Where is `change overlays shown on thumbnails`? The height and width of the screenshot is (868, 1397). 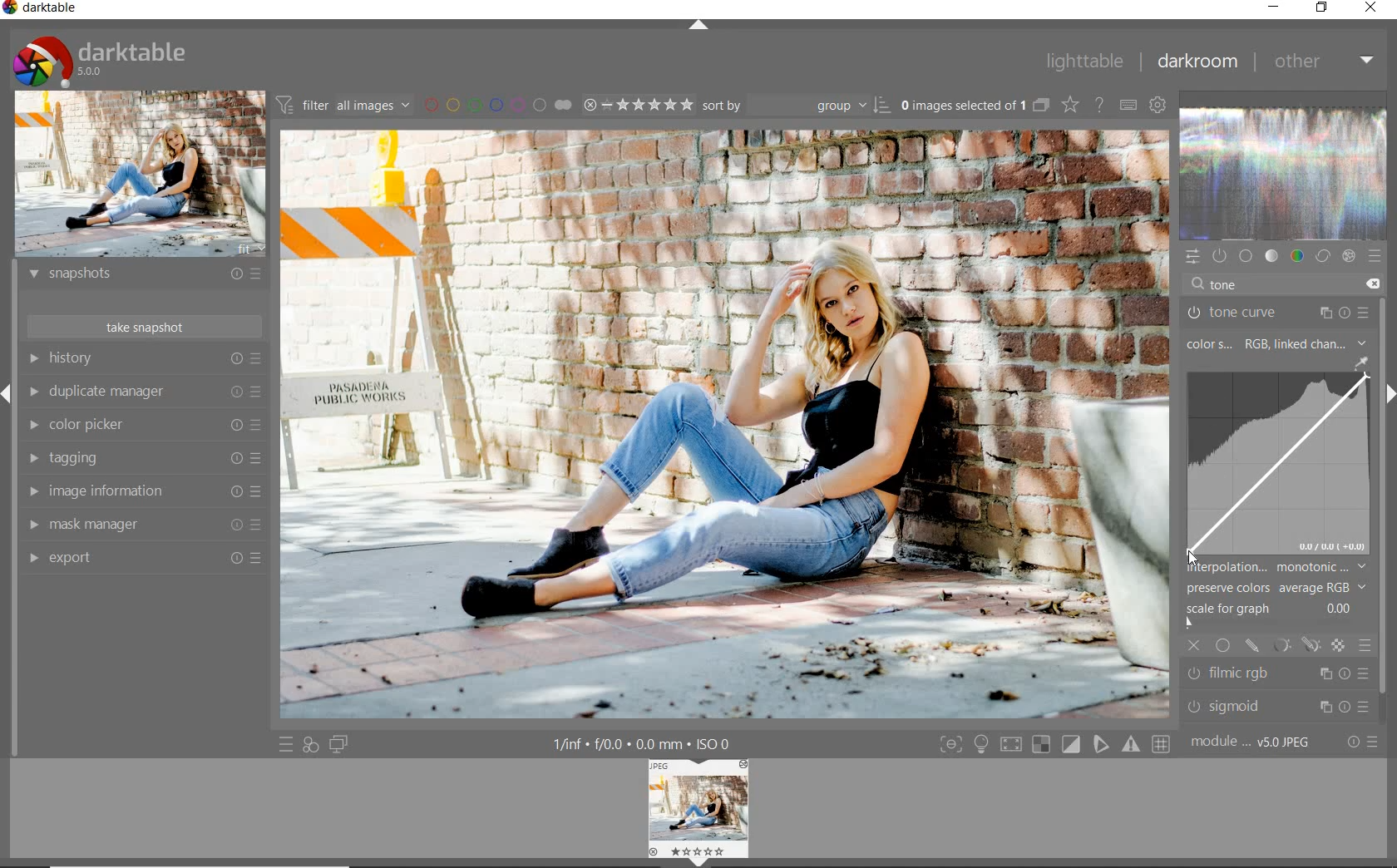 change overlays shown on thumbnails is located at coordinates (1069, 104).